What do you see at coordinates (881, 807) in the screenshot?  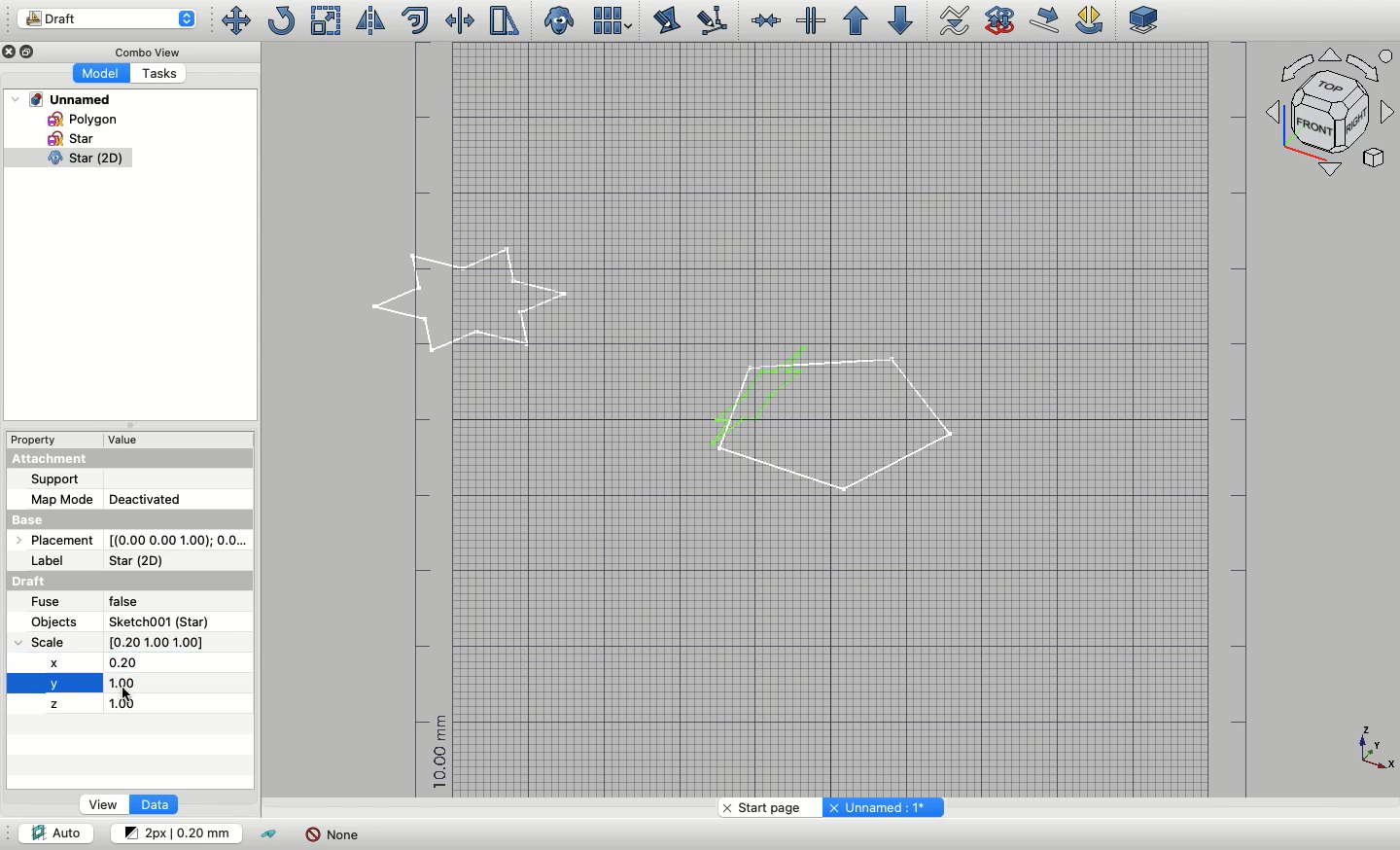 I see `Unnamed: 1` at bounding box center [881, 807].